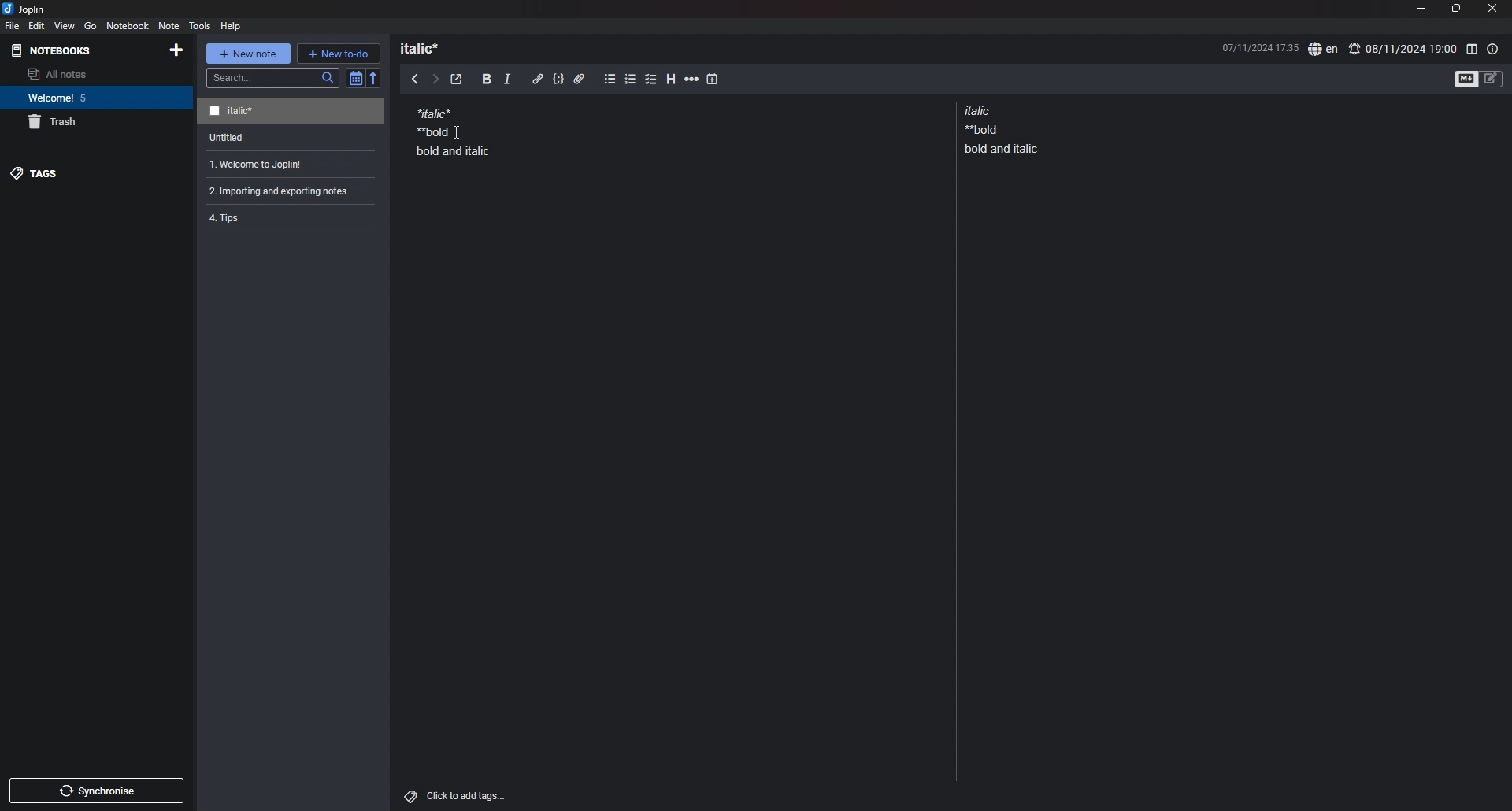 The image size is (1512, 811). I want to click on add notebook, so click(175, 50).